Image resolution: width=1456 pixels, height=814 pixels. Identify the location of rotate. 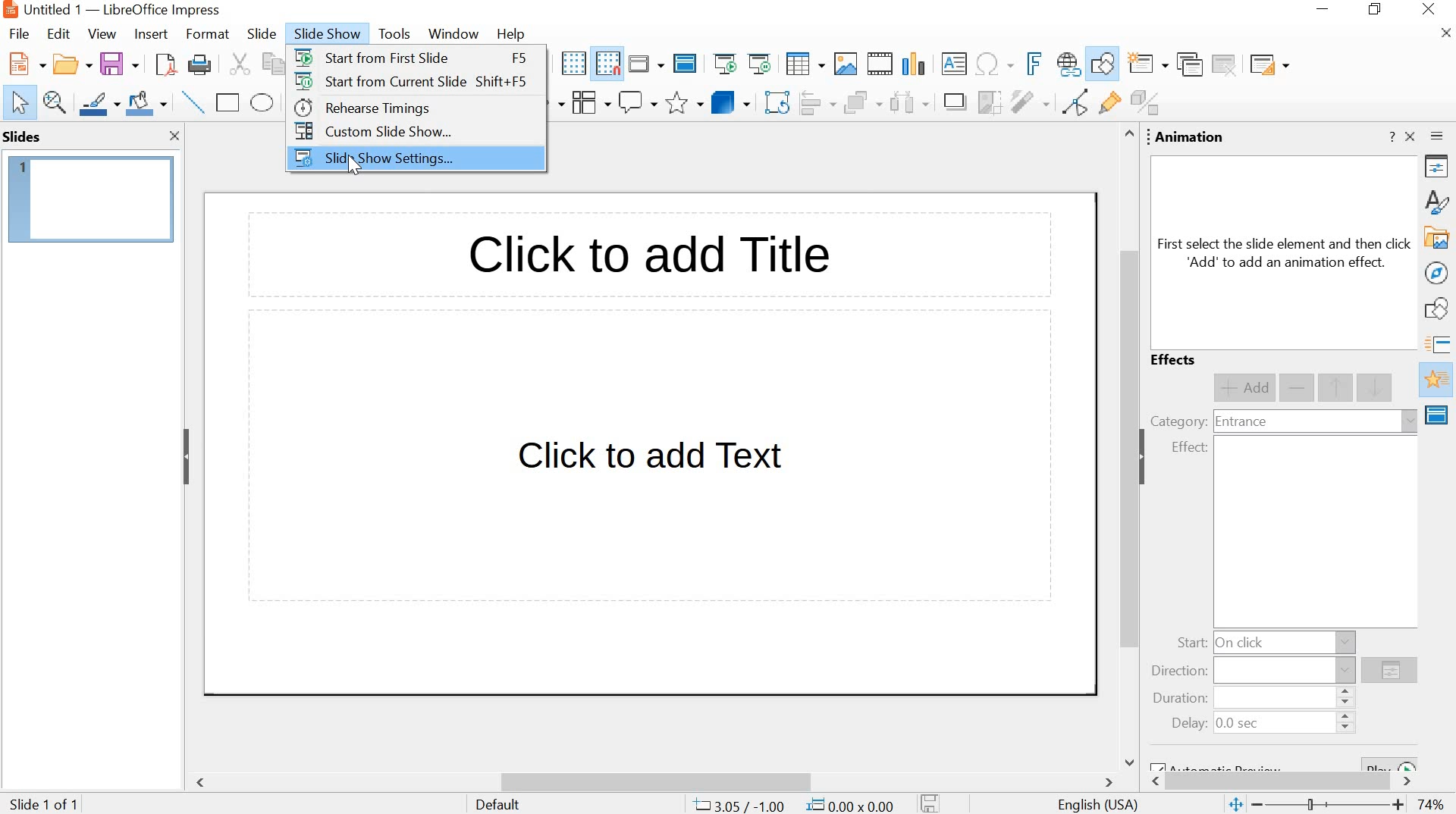
(776, 104).